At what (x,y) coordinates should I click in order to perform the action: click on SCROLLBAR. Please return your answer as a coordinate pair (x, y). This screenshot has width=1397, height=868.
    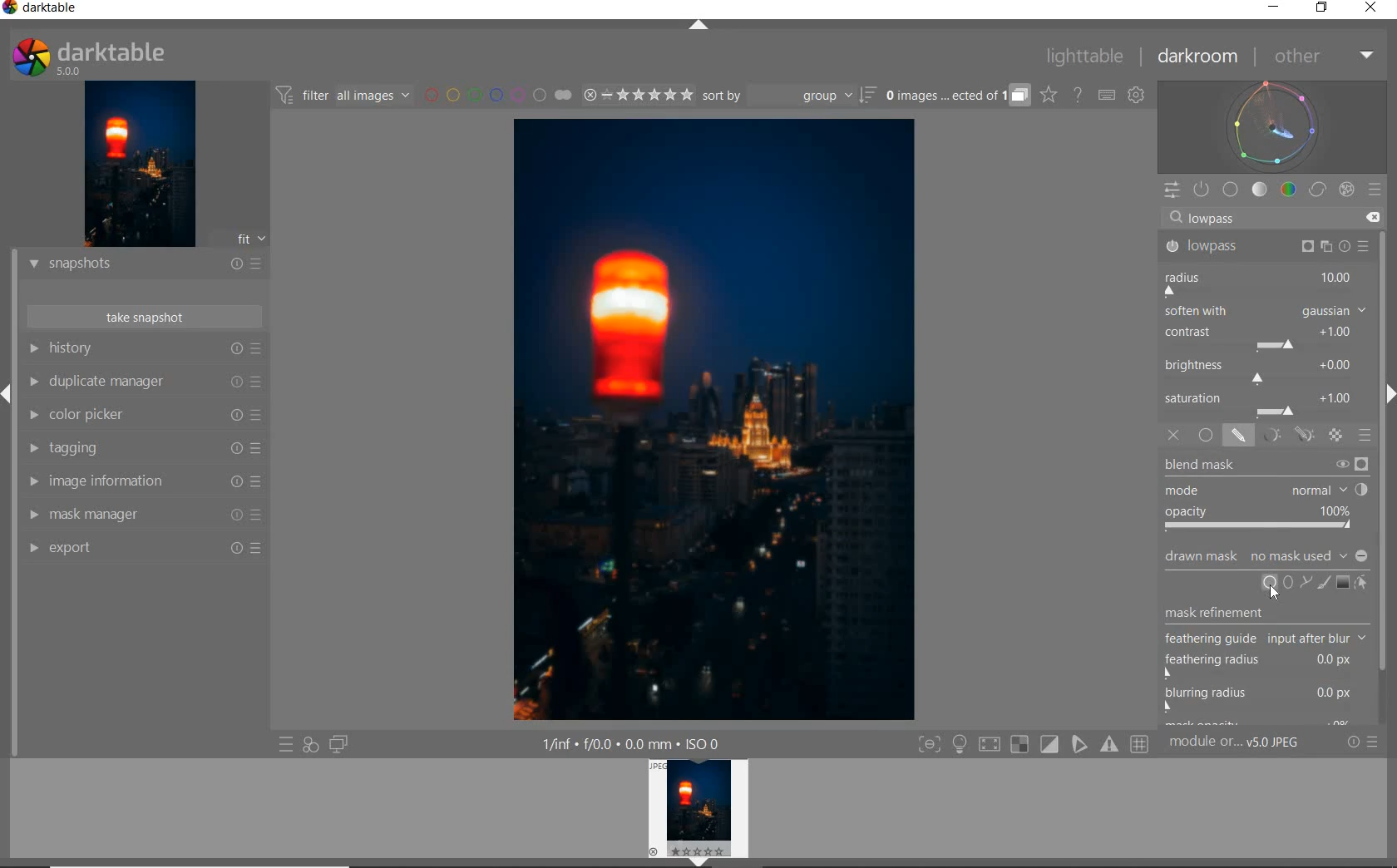
    Looking at the image, I should click on (1389, 475).